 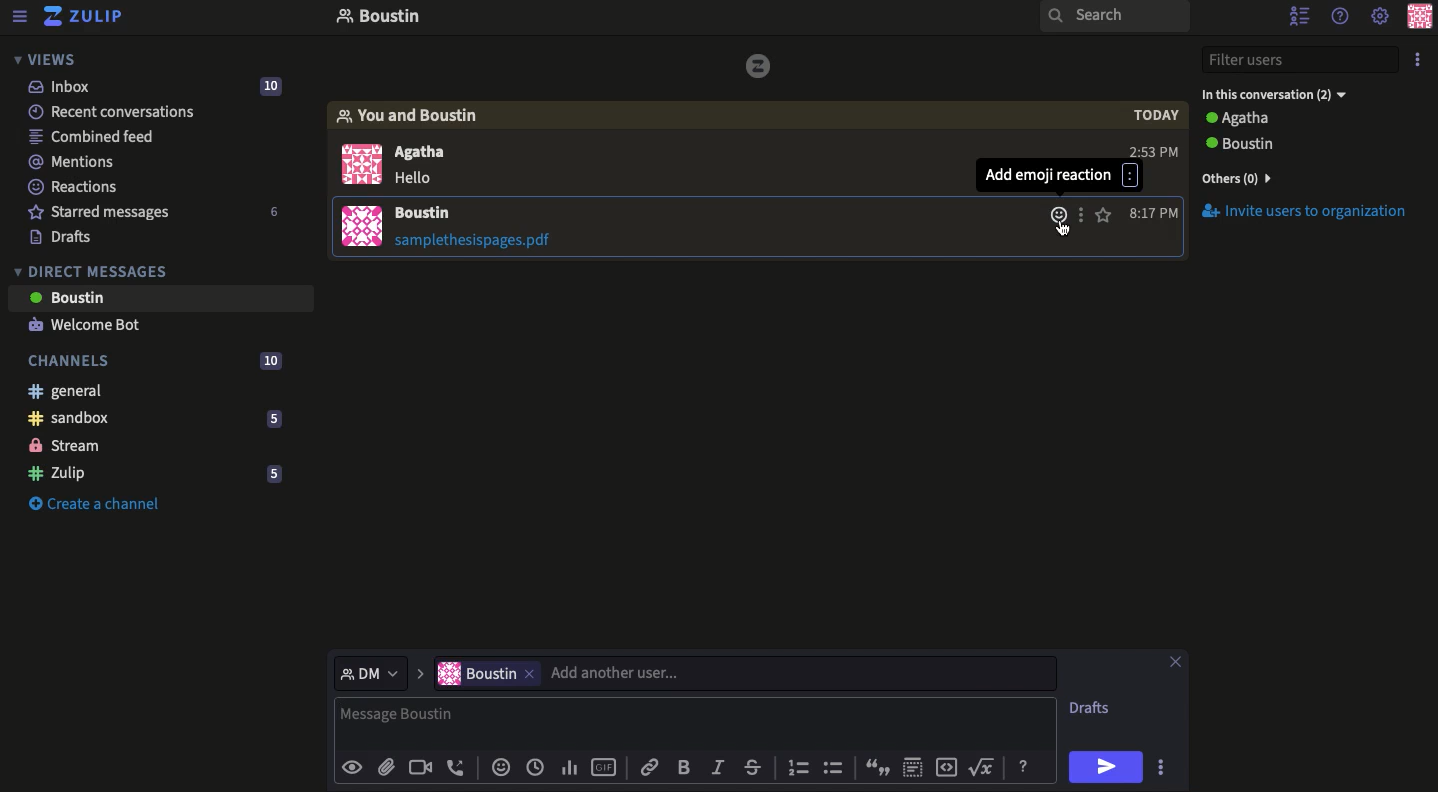 What do you see at coordinates (1311, 210) in the screenshot?
I see `Invite users to the organization` at bounding box center [1311, 210].